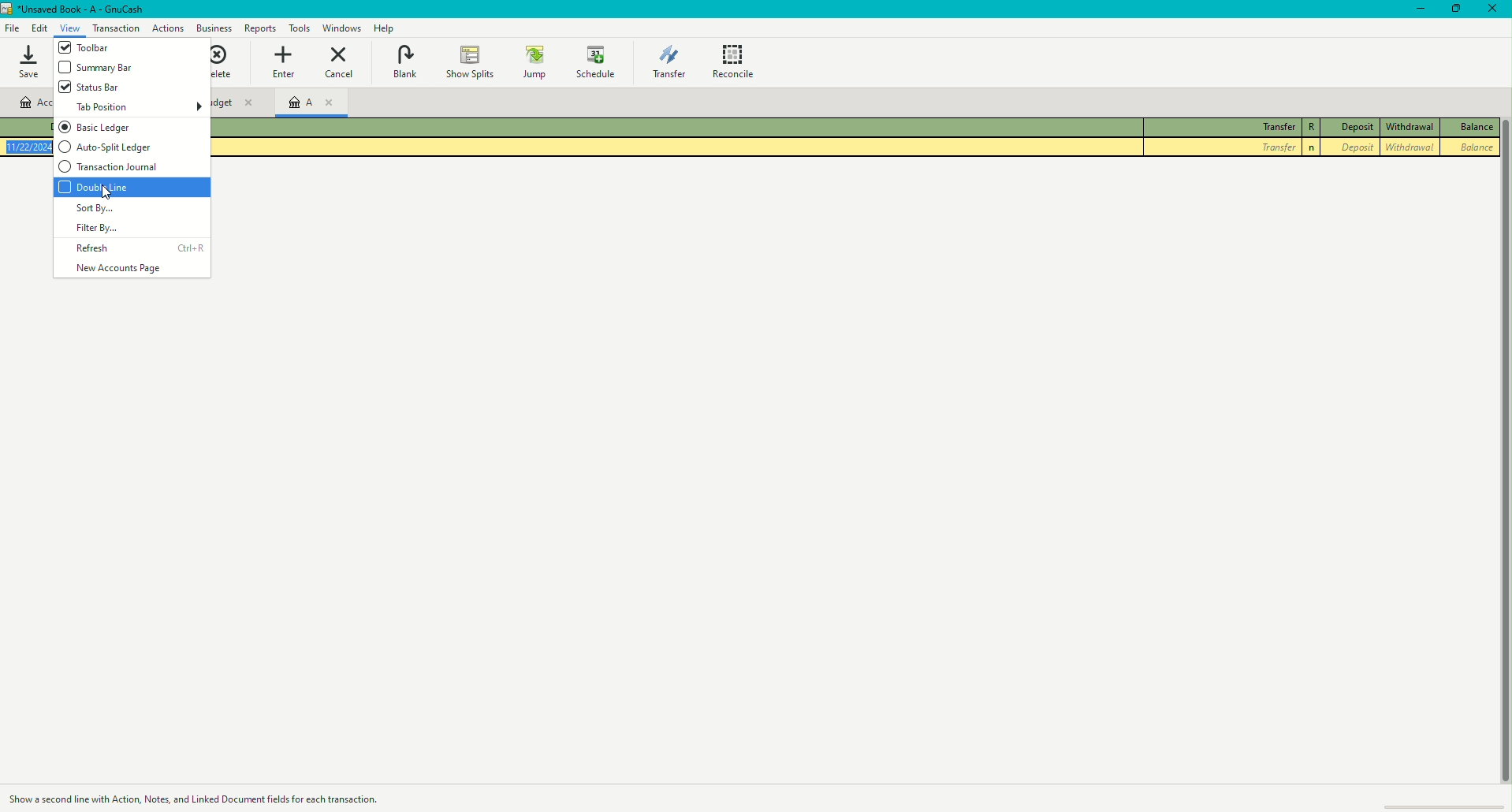 The width and height of the screenshot is (1512, 812). What do you see at coordinates (666, 62) in the screenshot?
I see `Transfer` at bounding box center [666, 62].